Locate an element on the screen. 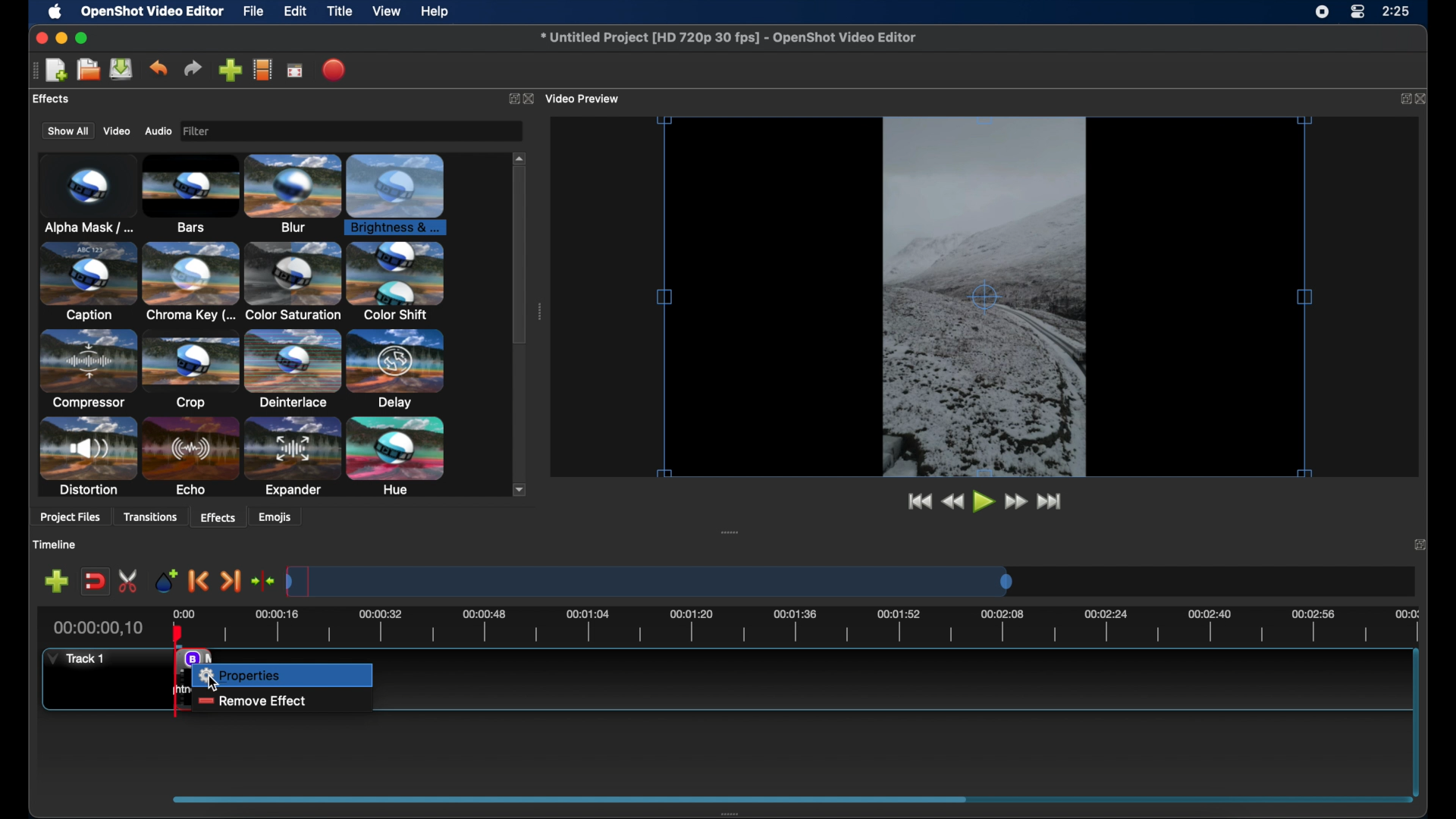 Image resolution: width=1456 pixels, height=819 pixels. hue is located at coordinates (396, 457).